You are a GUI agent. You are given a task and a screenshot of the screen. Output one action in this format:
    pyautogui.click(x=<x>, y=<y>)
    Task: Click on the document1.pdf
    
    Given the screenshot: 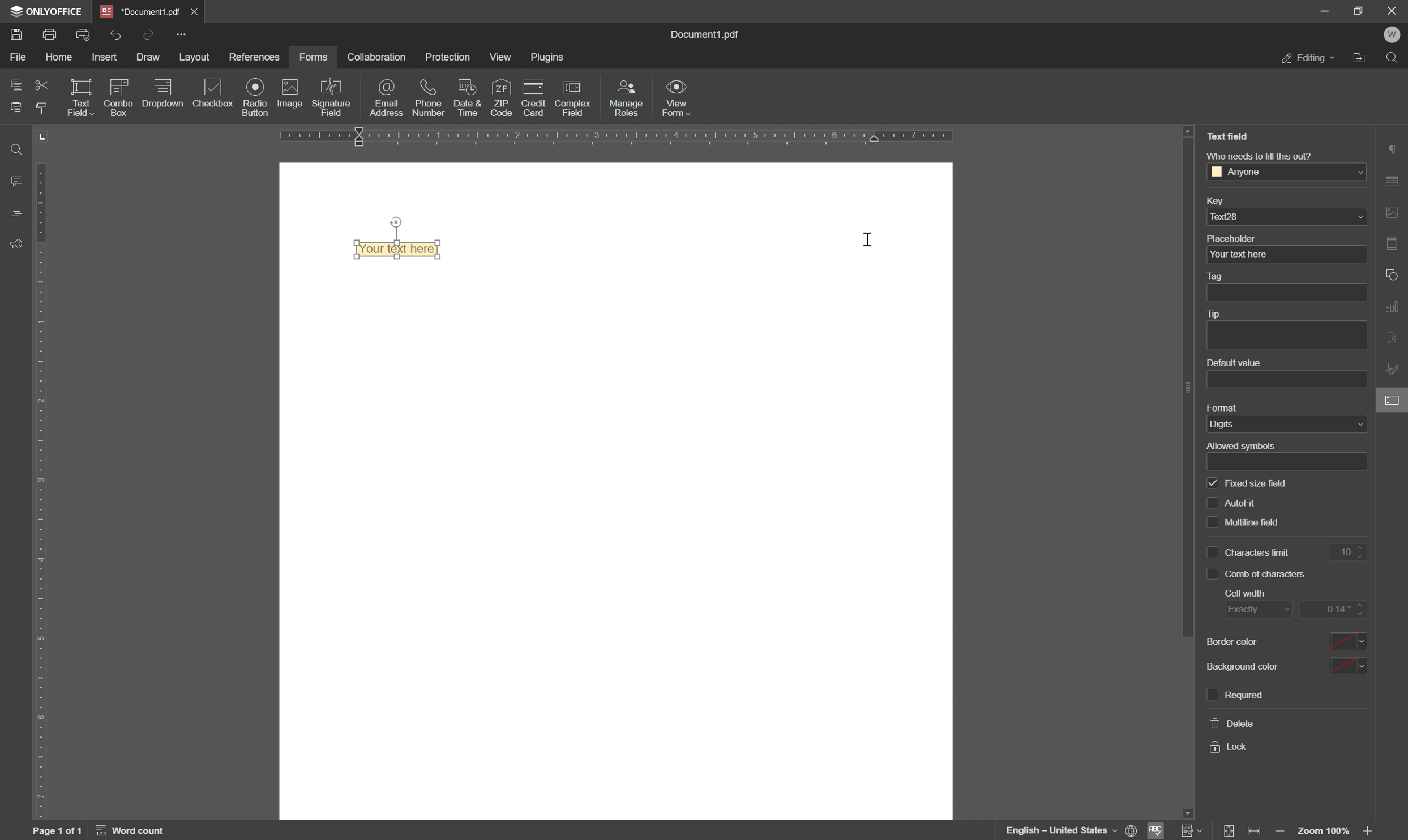 What is the action you would take?
    pyautogui.click(x=699, y=33)
    